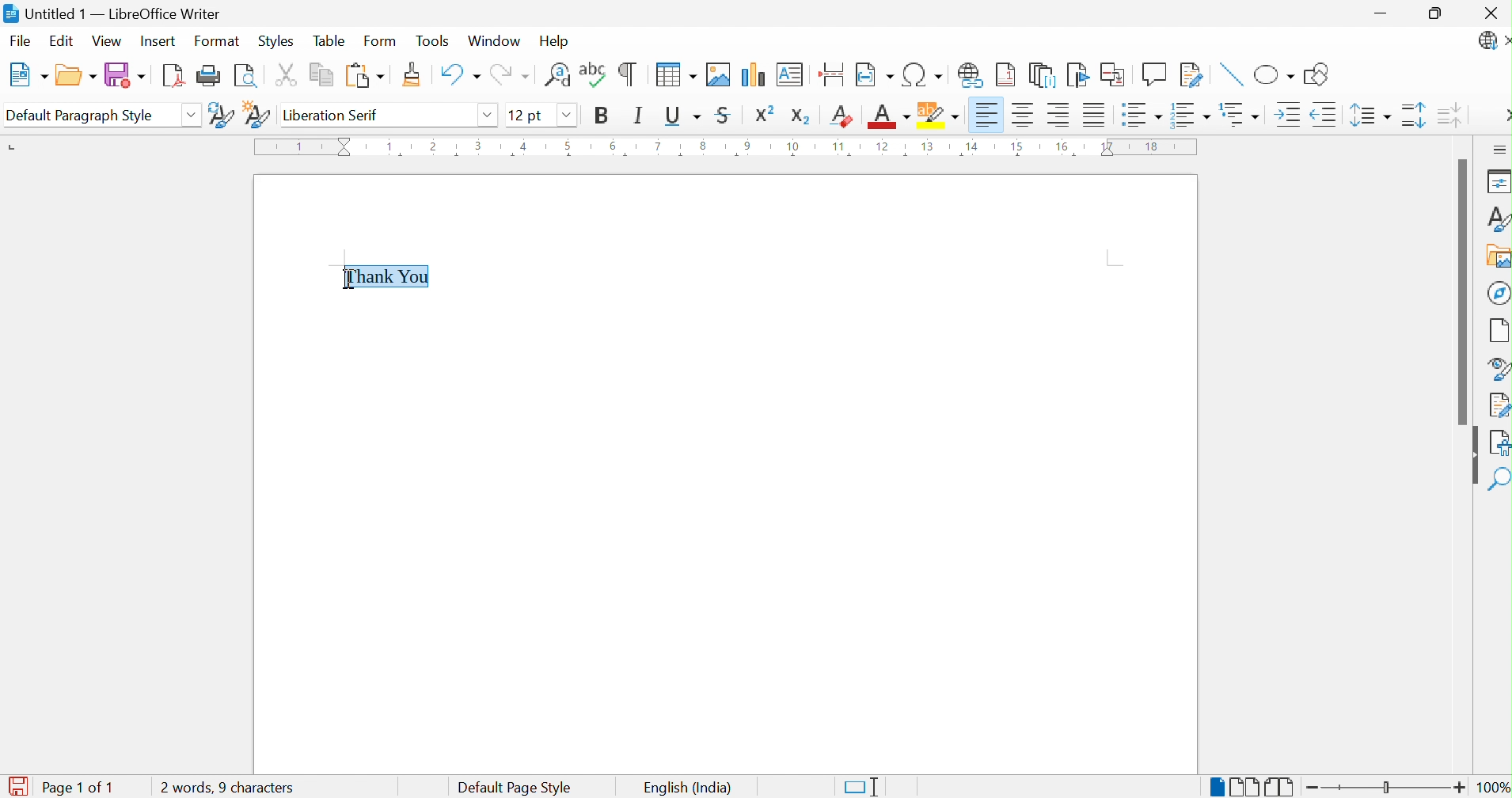  What do you see at coordinates (284, 74) in the screenshot?
I see `Cut` at bounding box center [284, 74].